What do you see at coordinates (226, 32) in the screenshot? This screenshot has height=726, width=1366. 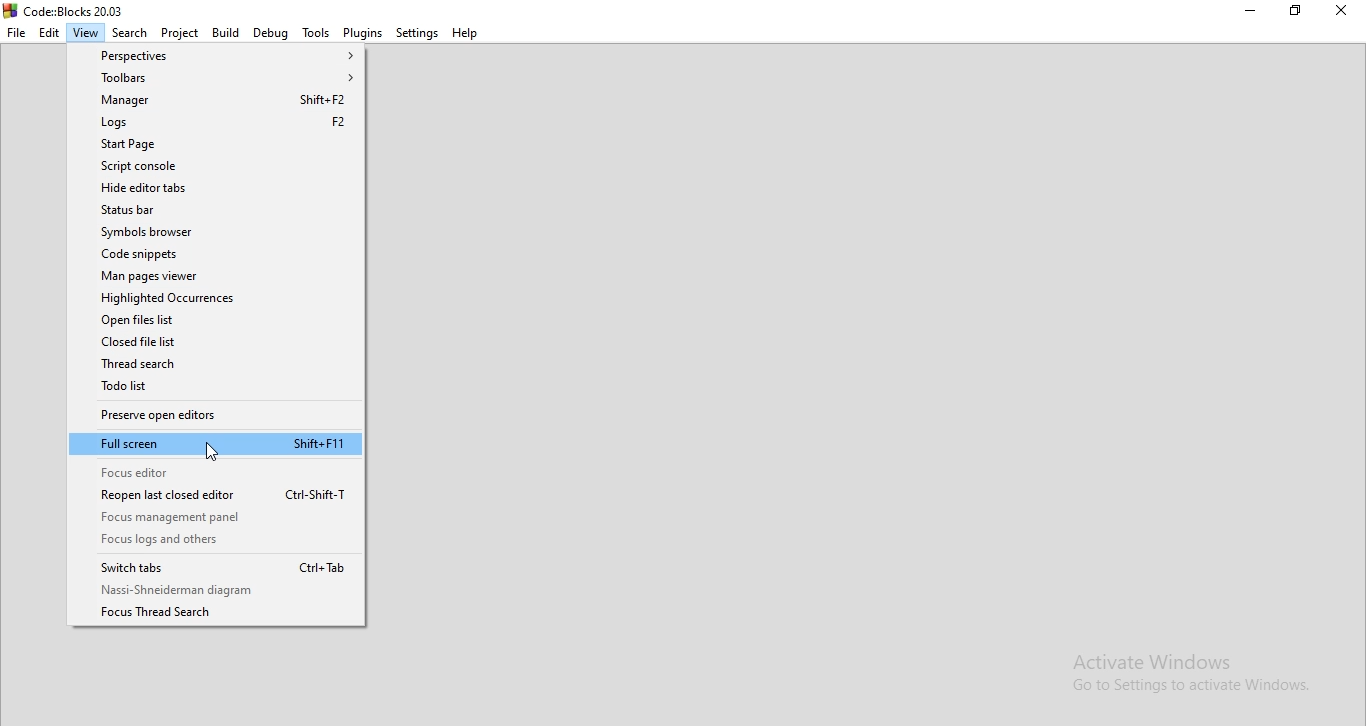 I see `Build ` at bounding box center [226, 32].